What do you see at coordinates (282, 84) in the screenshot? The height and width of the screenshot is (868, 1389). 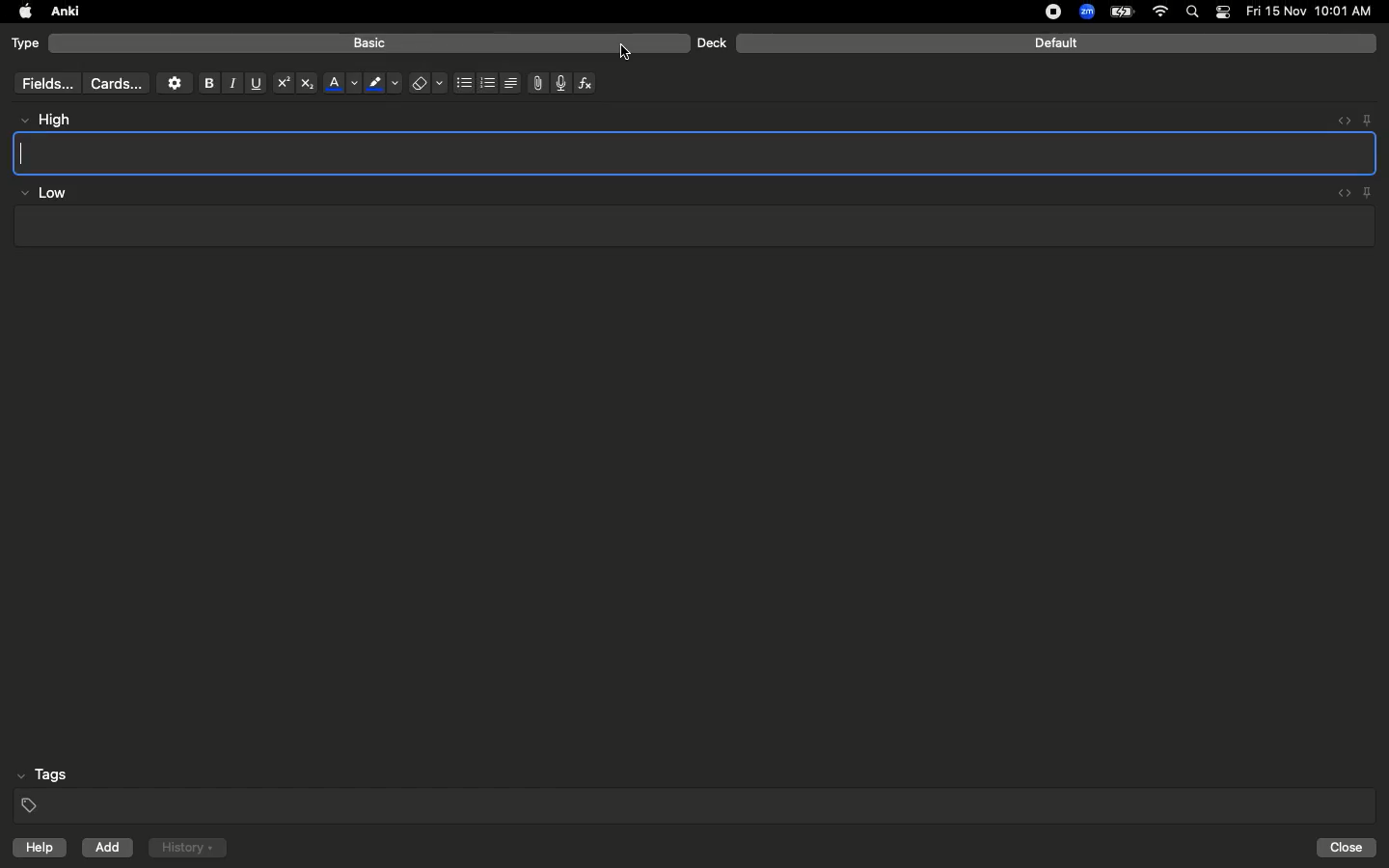 I see `Superscript` at bounding box center [282, 84].